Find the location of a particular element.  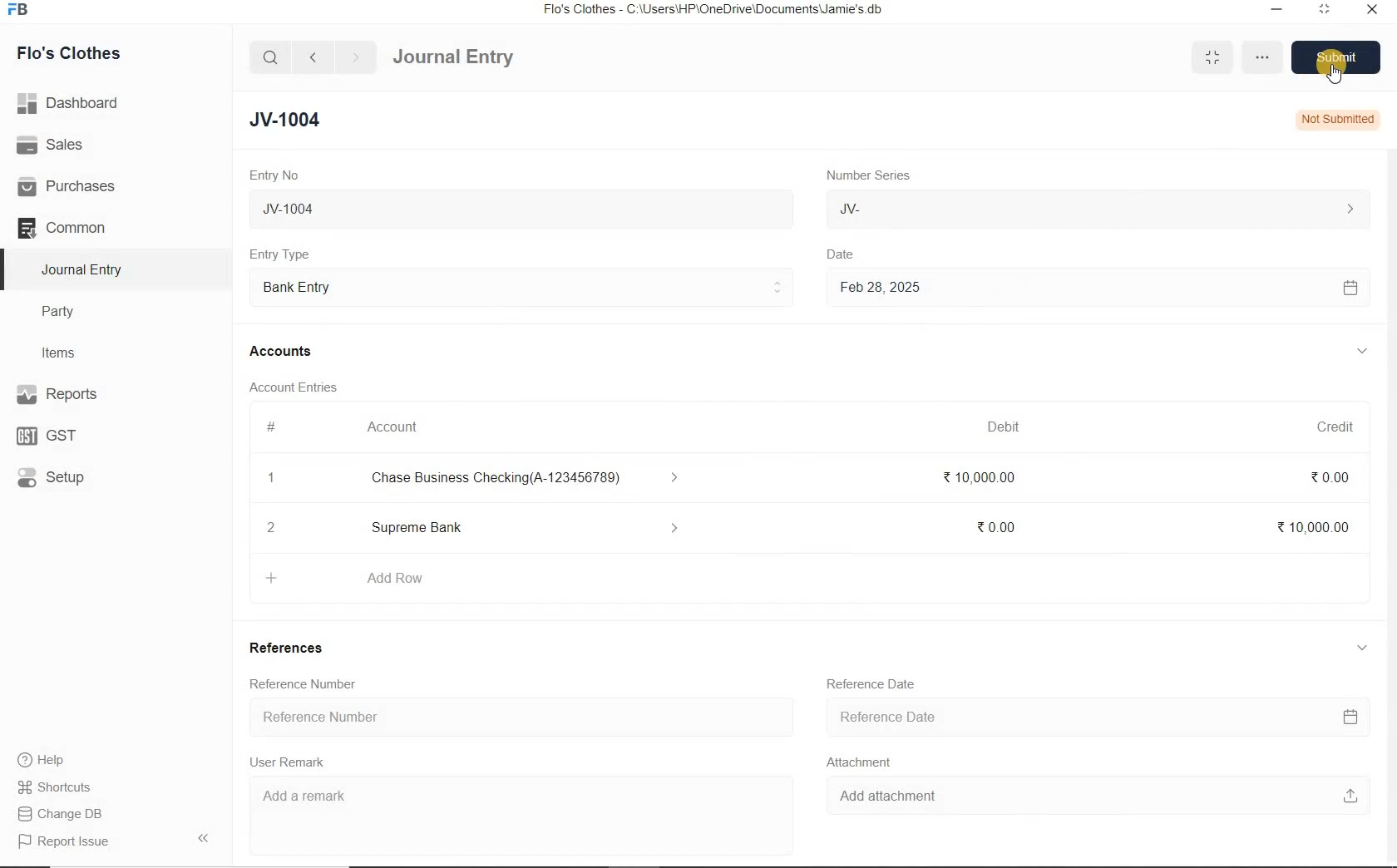

Accounts is located at coordinates (284, 351).